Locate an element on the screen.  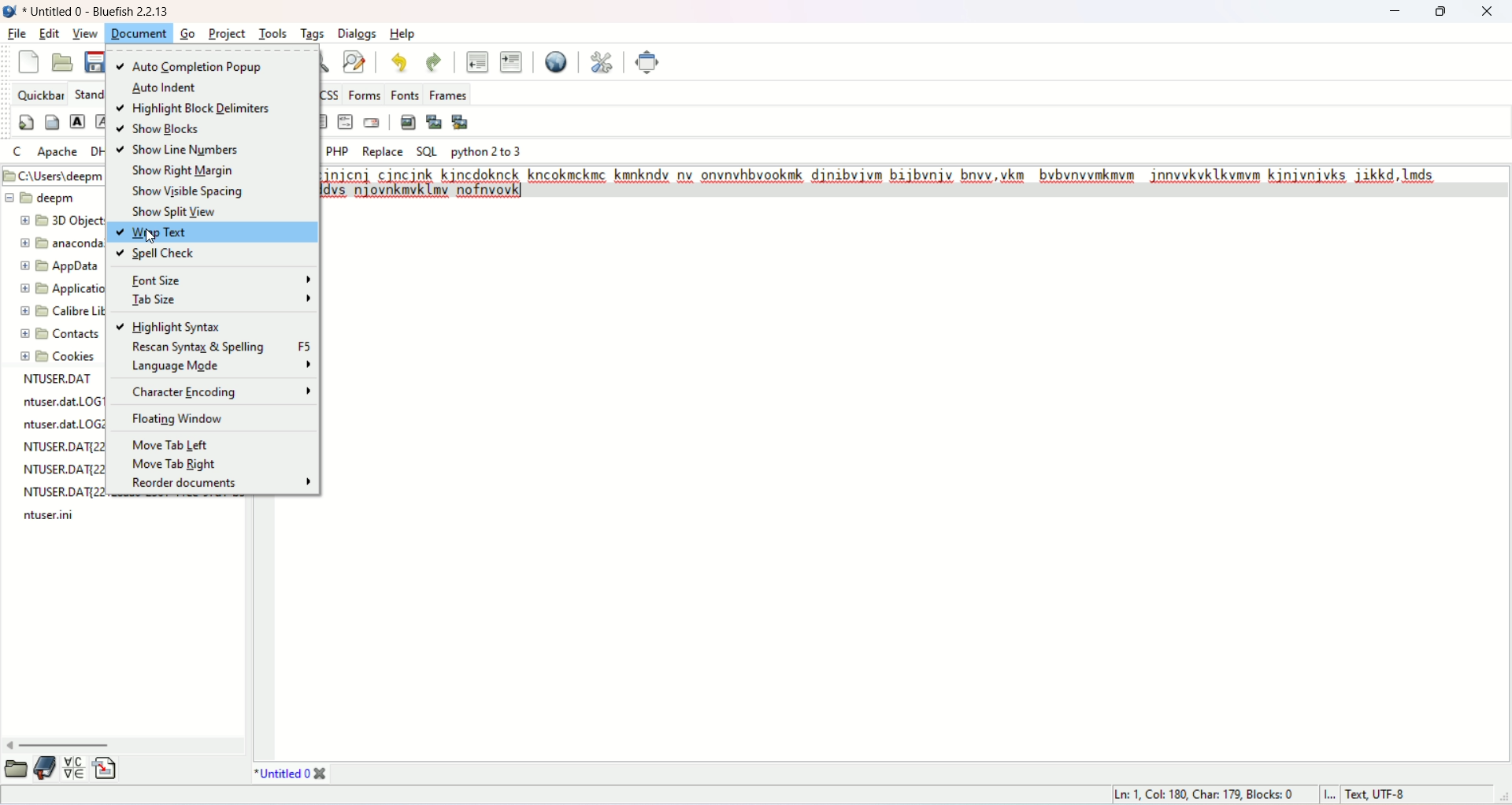
move tab right is located at coordinates (176, 463).